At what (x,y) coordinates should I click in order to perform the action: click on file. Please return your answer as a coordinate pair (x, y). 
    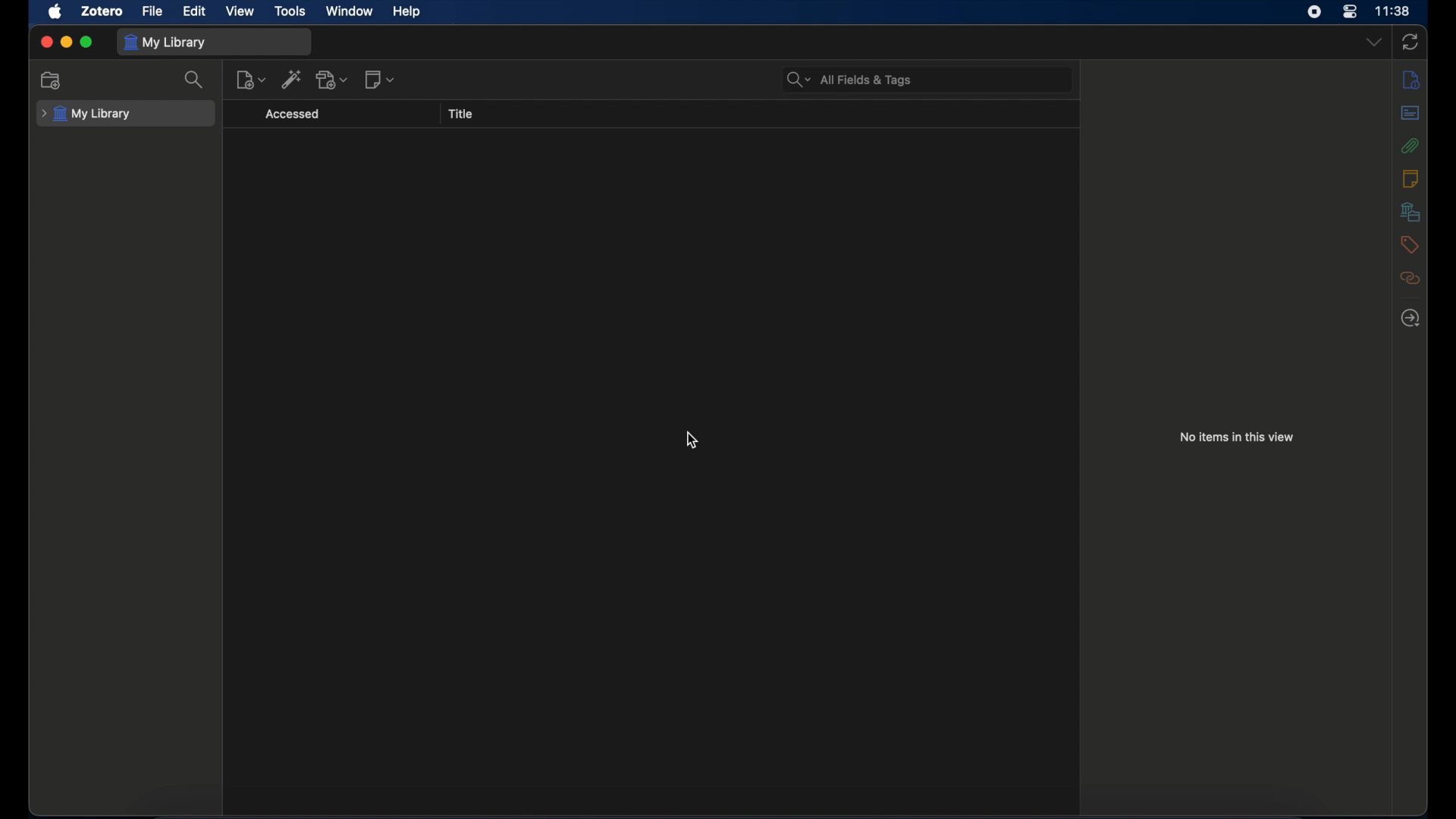
    Looking at the image, I should click on (153, 11).